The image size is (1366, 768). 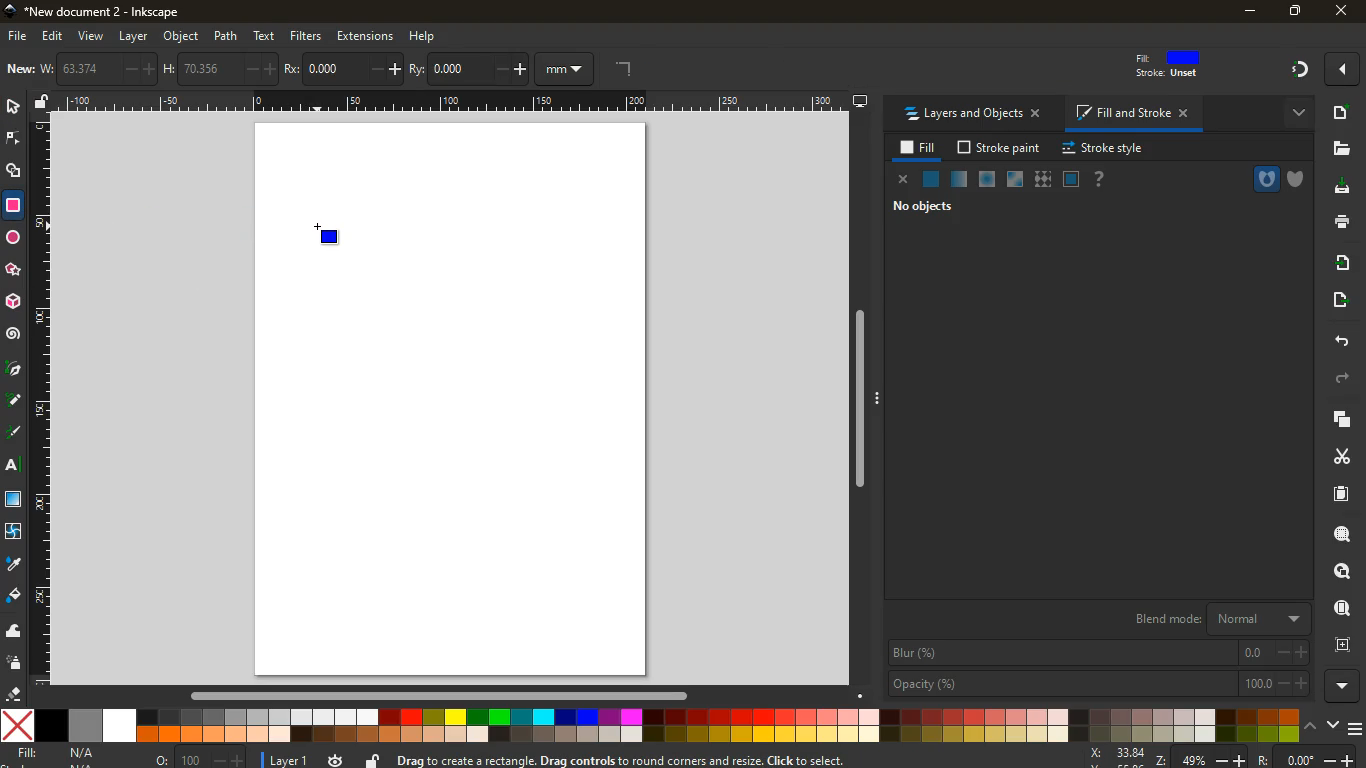 I want to click on drop, so click(x=15, y=563).